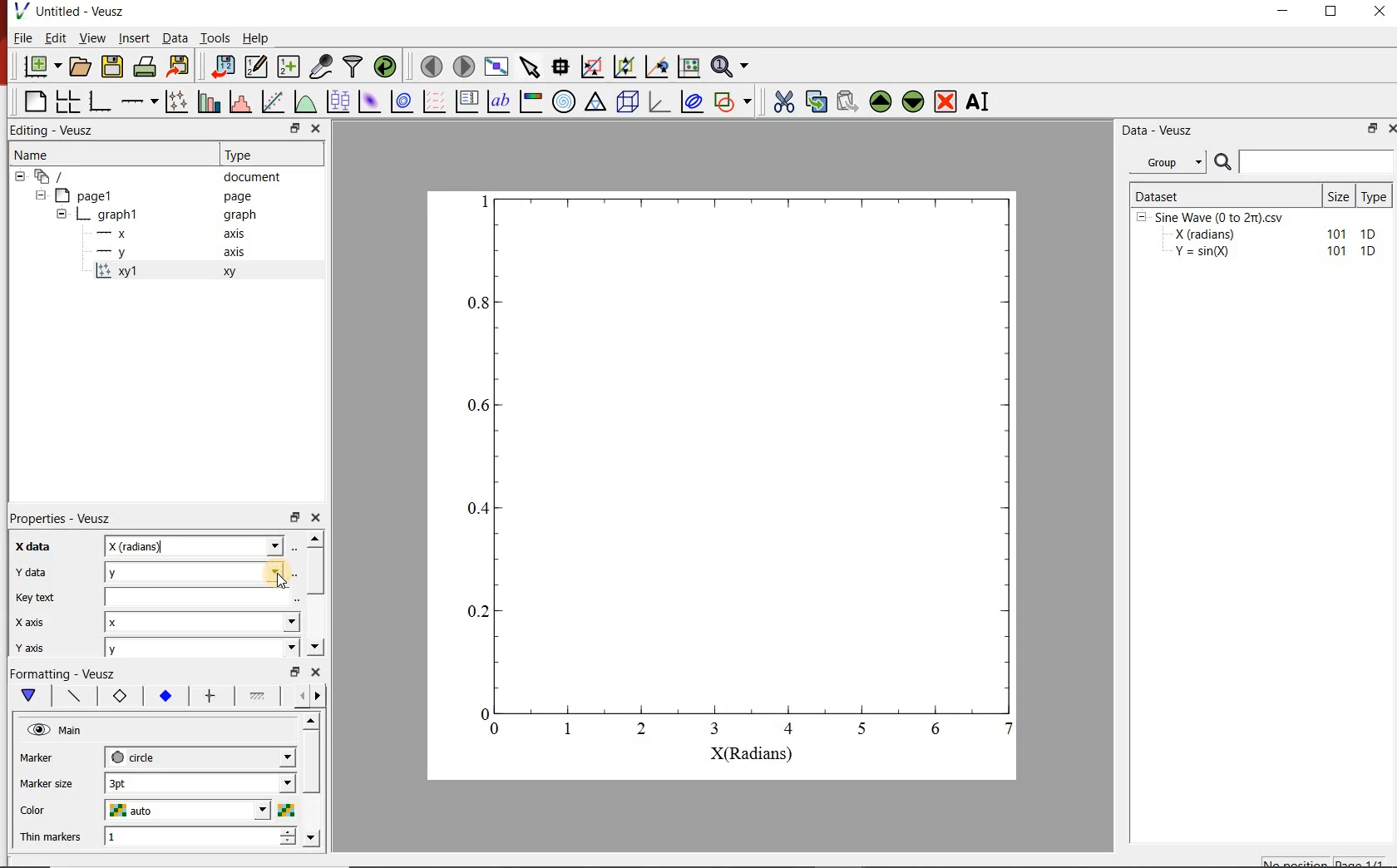 The height and width of the screenshot is (868, 1397). I want to click on down arrow, so click(27, 696).